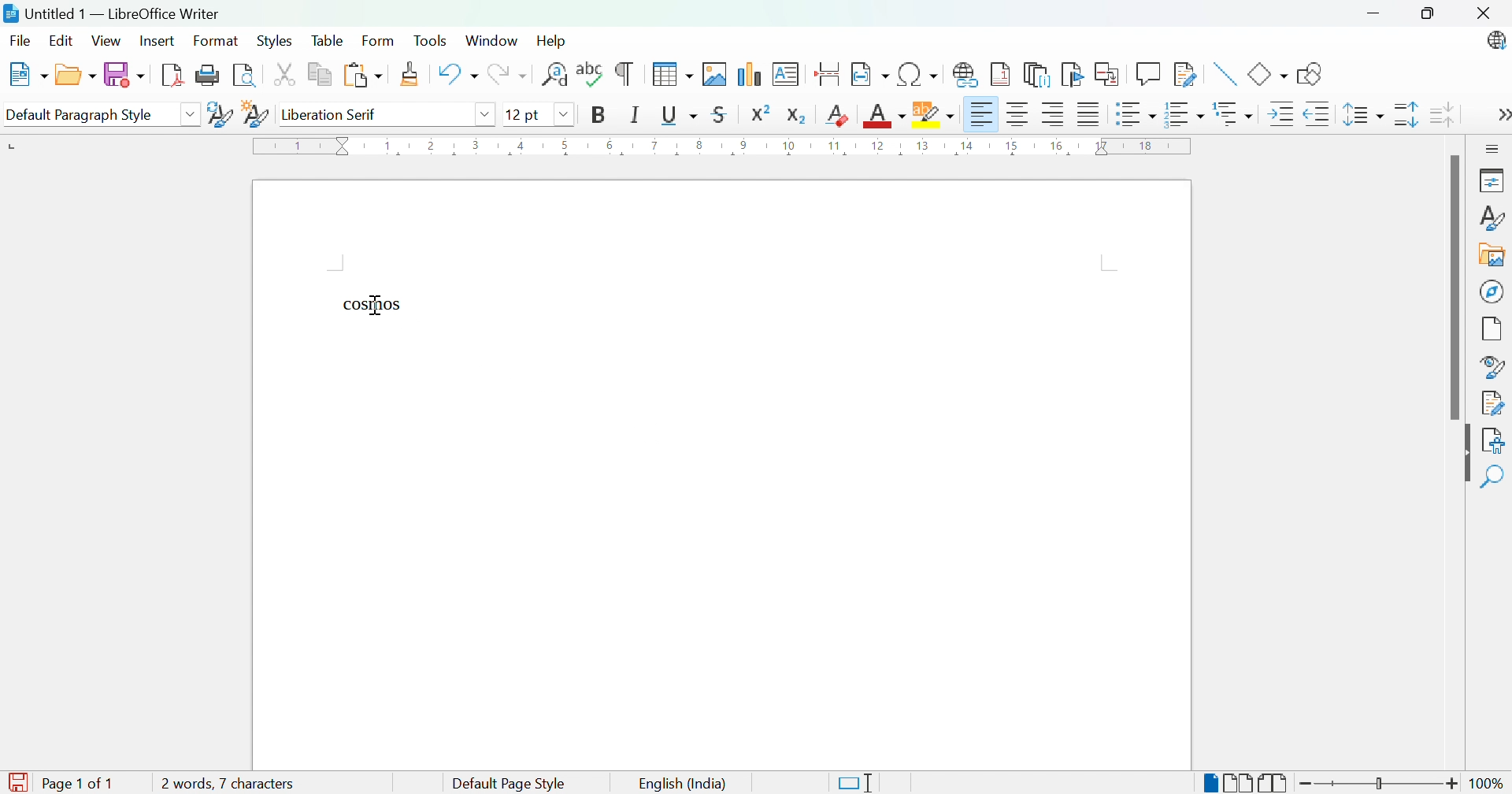  Describe the element at coordinates (829, 74) in the screenshot. I see `Insert page break` at that location.